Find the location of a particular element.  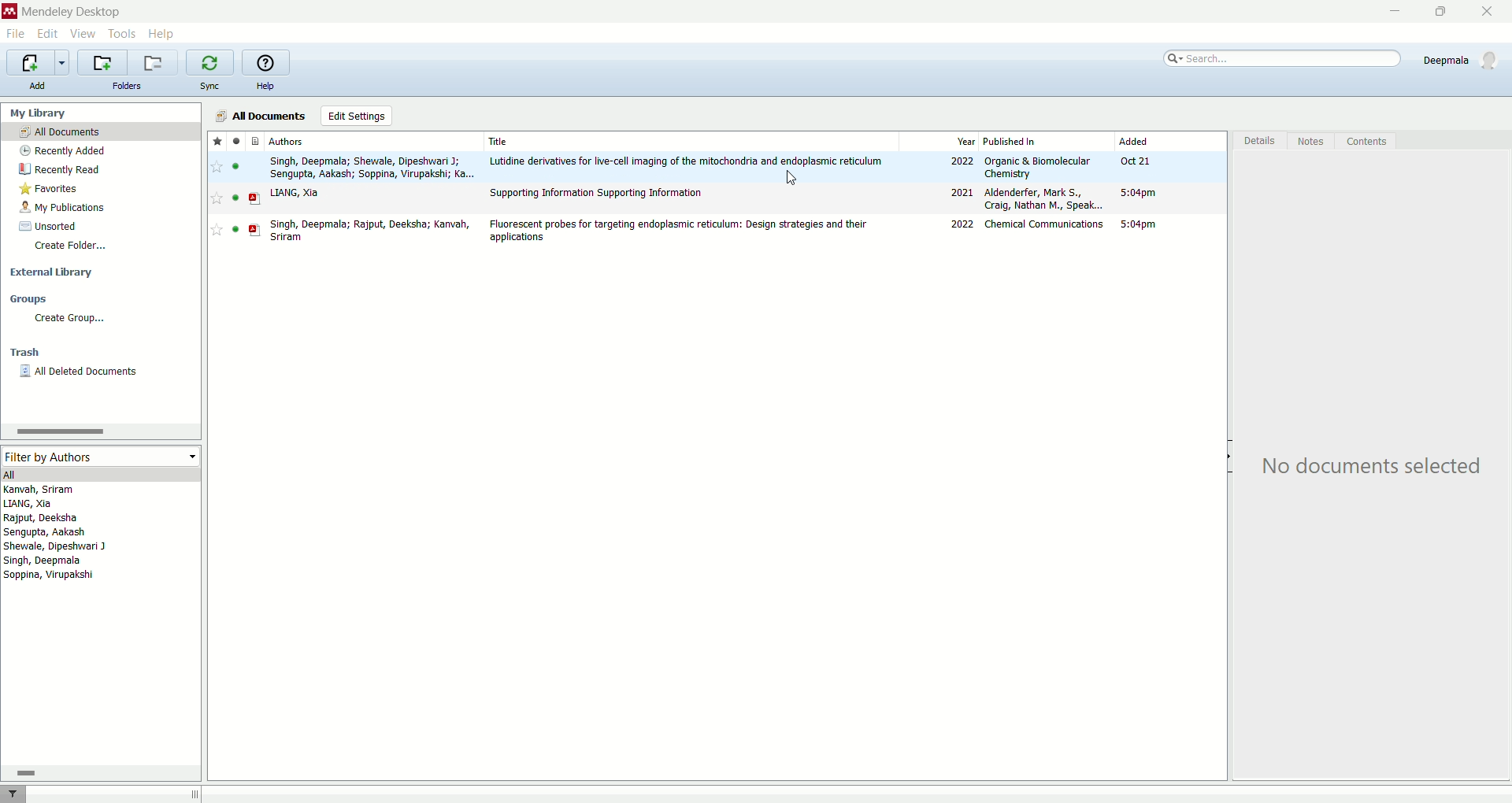

my publications is located at coordinates (64, 208).